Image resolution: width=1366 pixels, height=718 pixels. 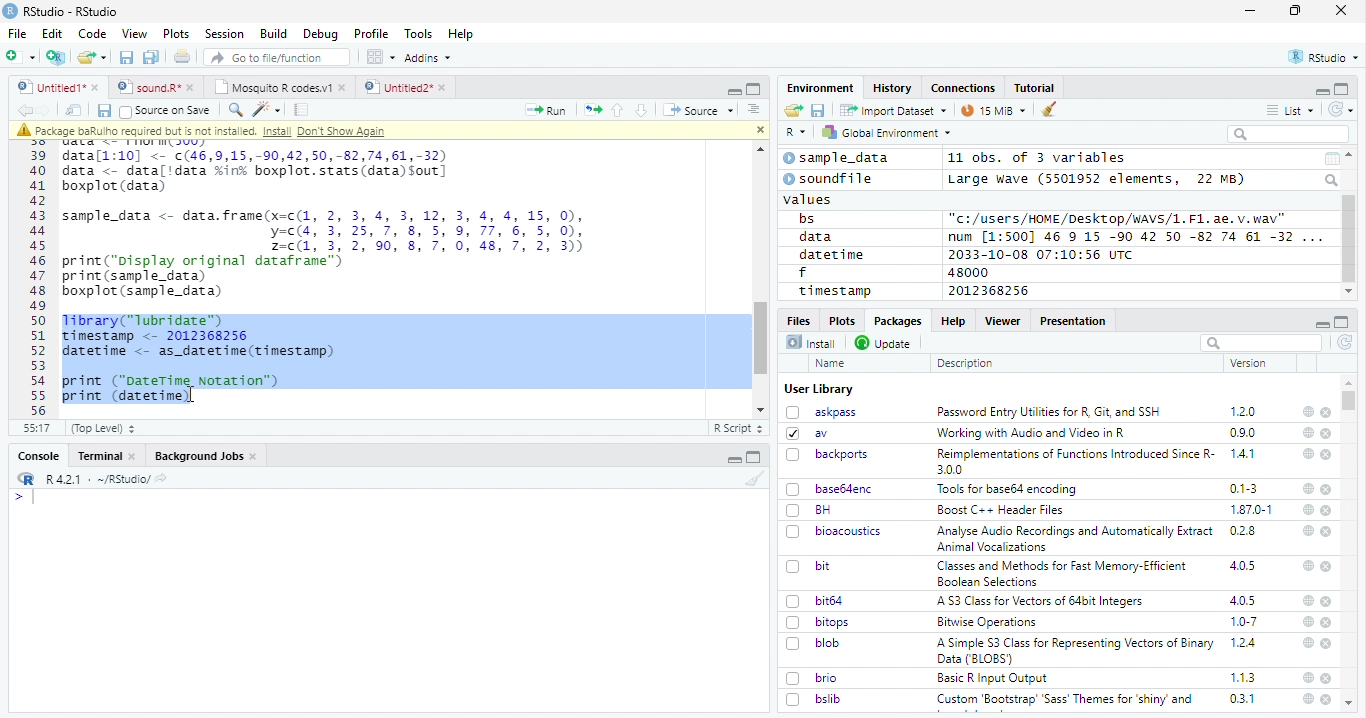 What do you see at coordinates (813, 643) in the screenshot?
I see `blob` at bounding box center [813, 643].